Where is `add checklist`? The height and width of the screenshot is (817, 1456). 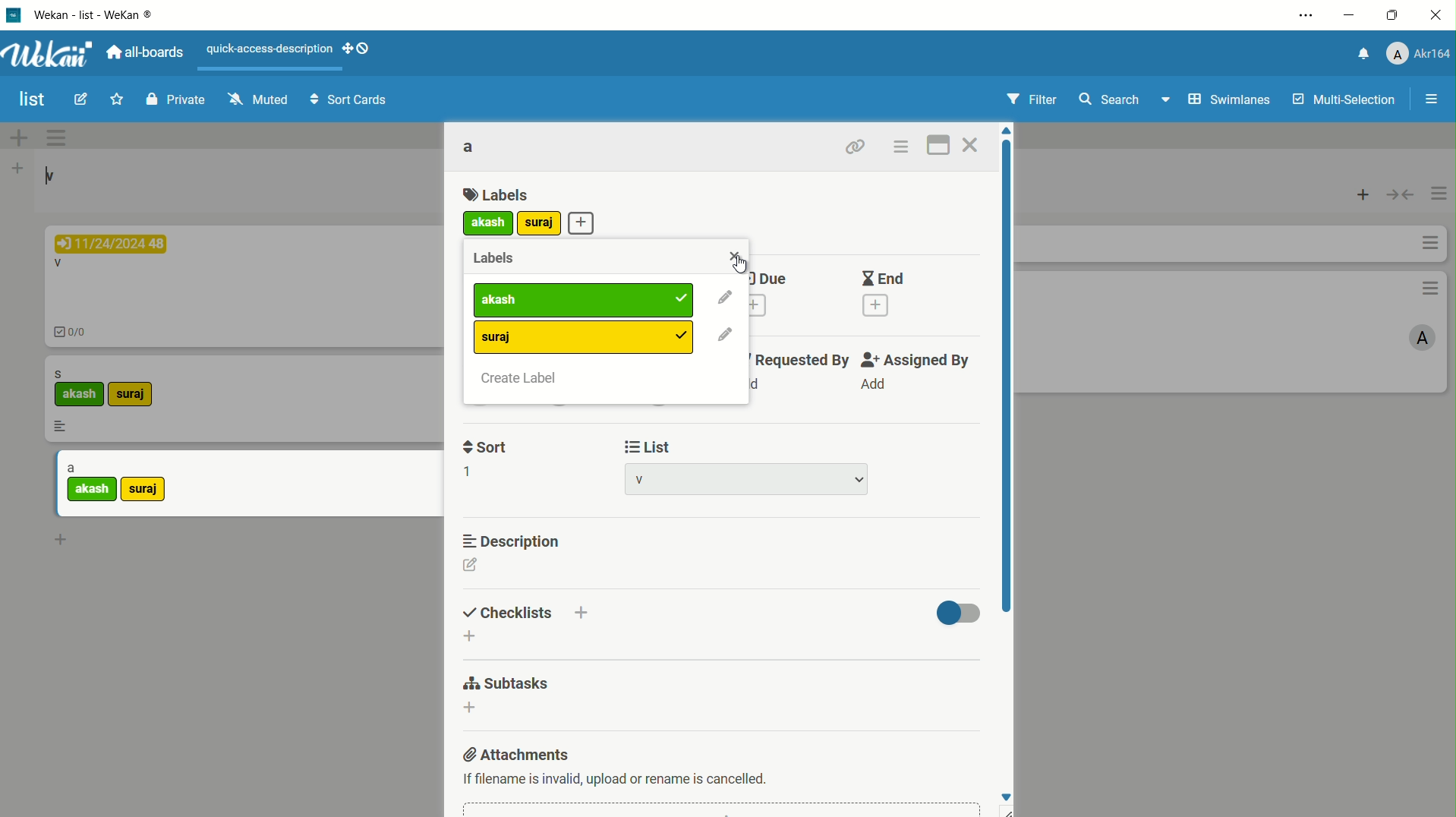
add checklist is located at coordinates (471, 635).